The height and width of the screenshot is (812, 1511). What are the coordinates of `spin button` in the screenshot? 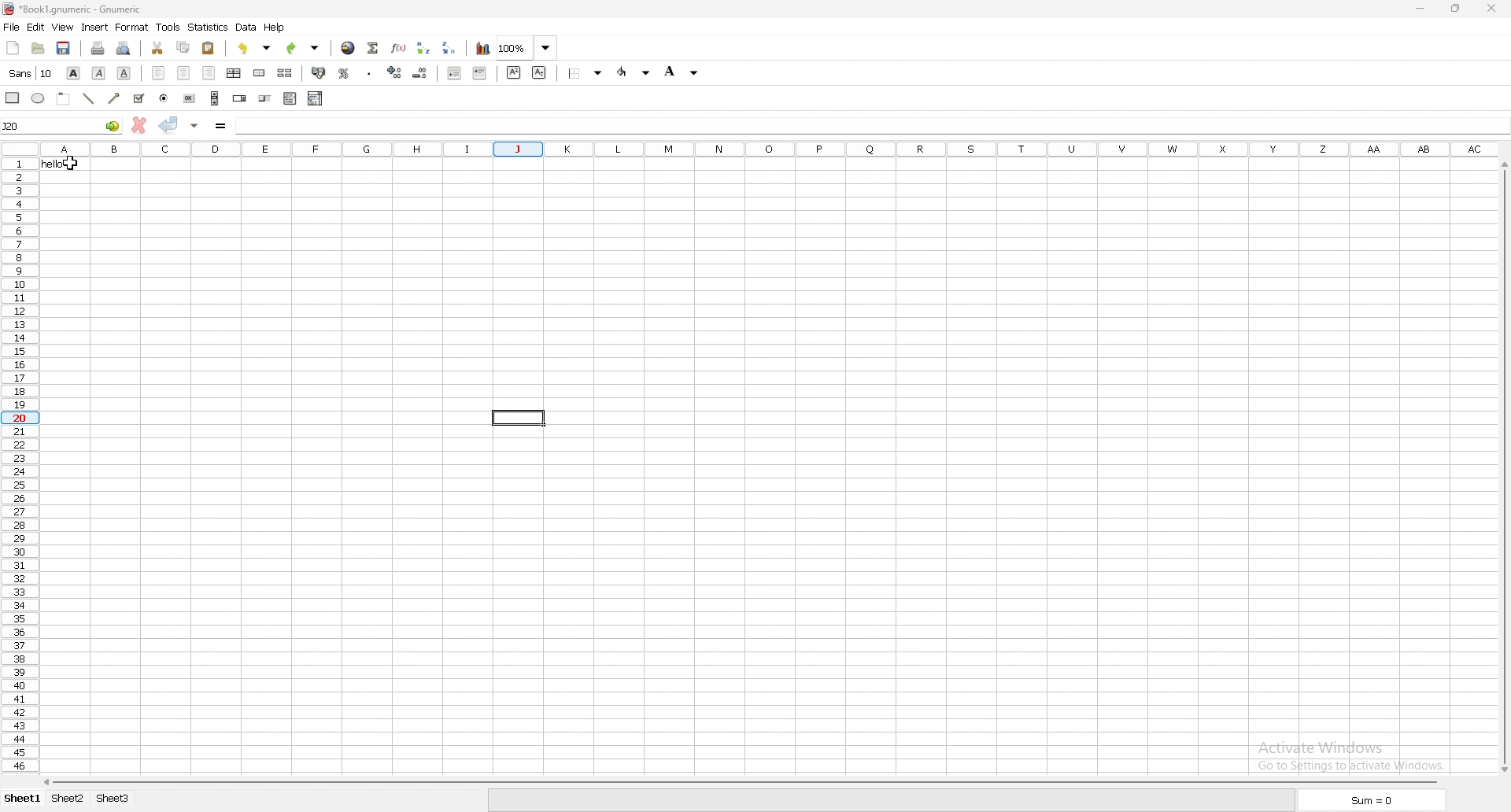 It's located at (239, 97).